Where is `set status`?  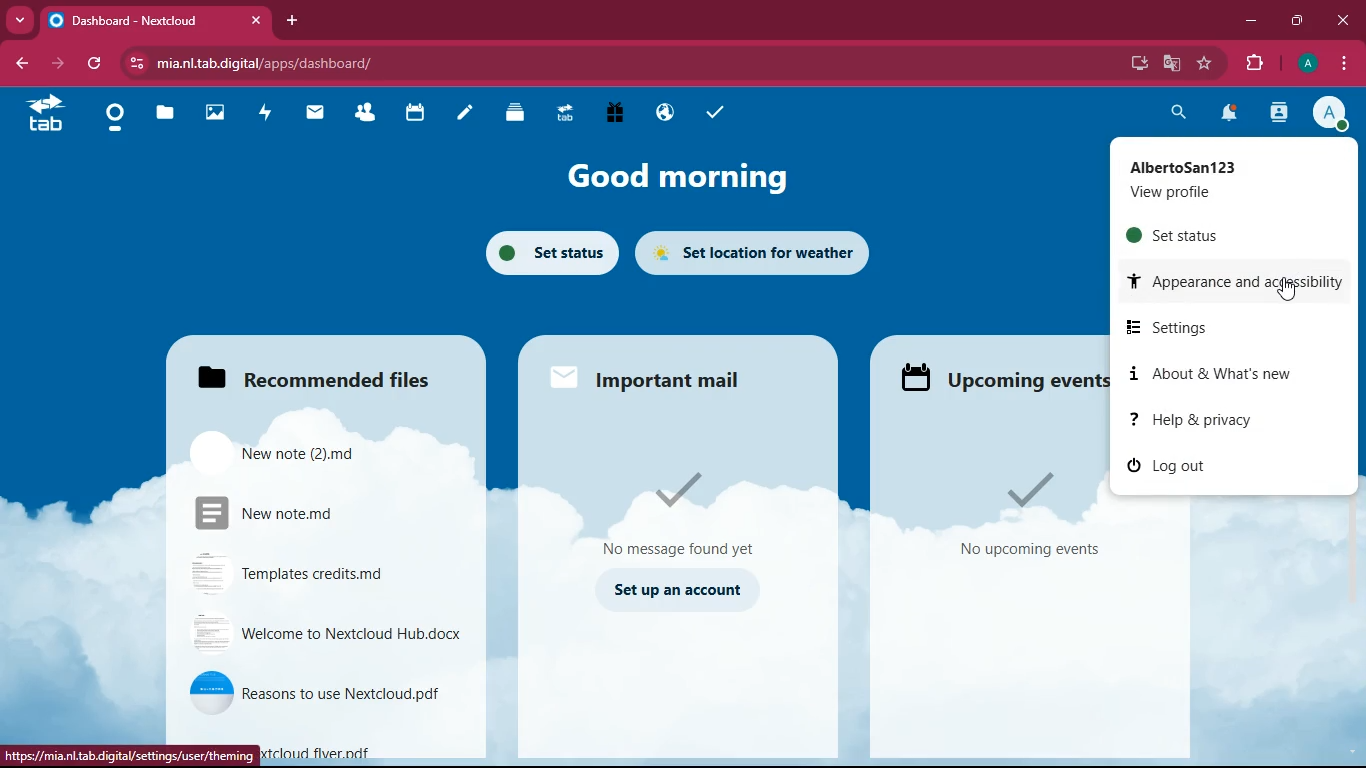
set status is located at coordinates (1211, 235).